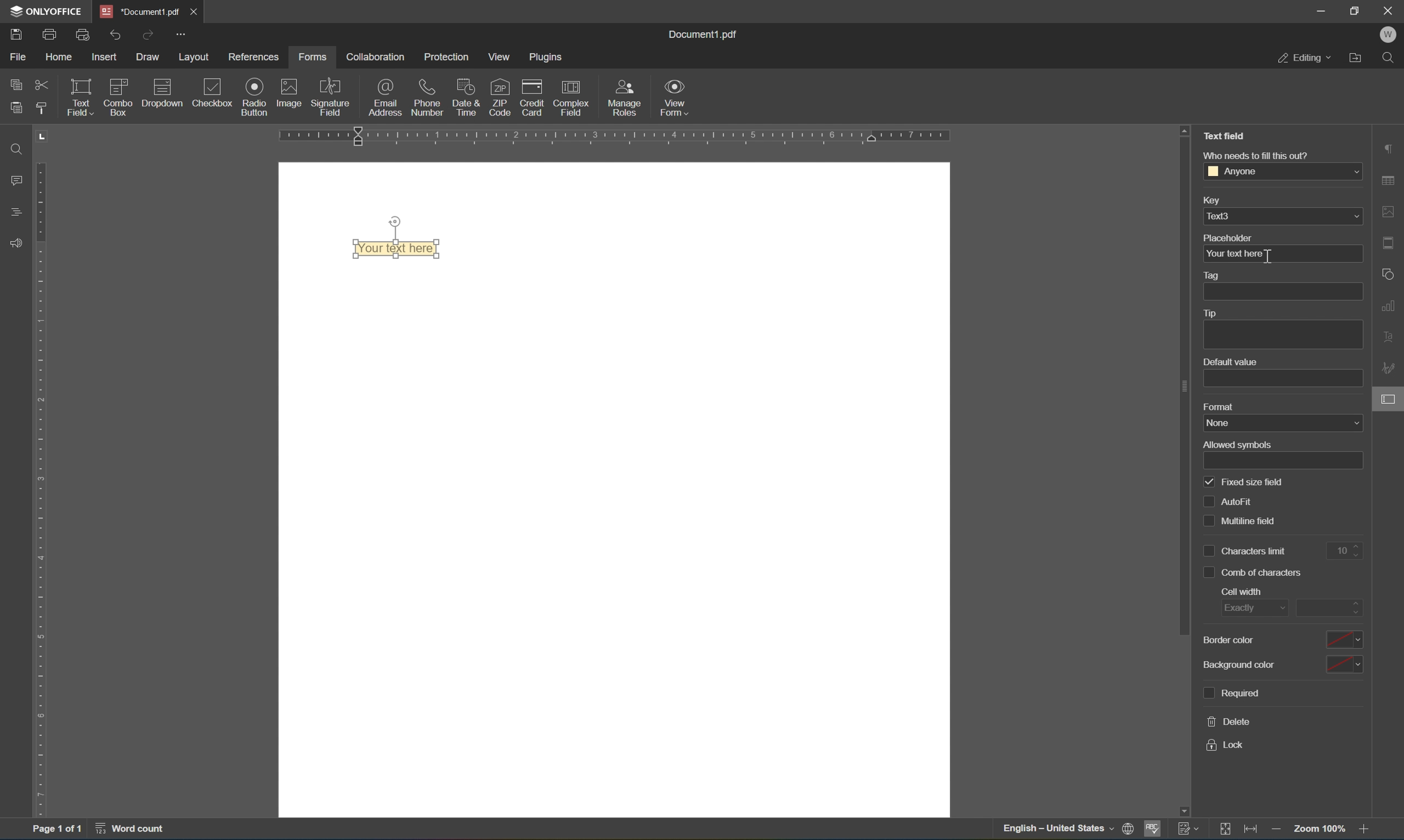 The height and width of the screenshot is (840, 1404). I want to click on complex field, so click(577, 98).